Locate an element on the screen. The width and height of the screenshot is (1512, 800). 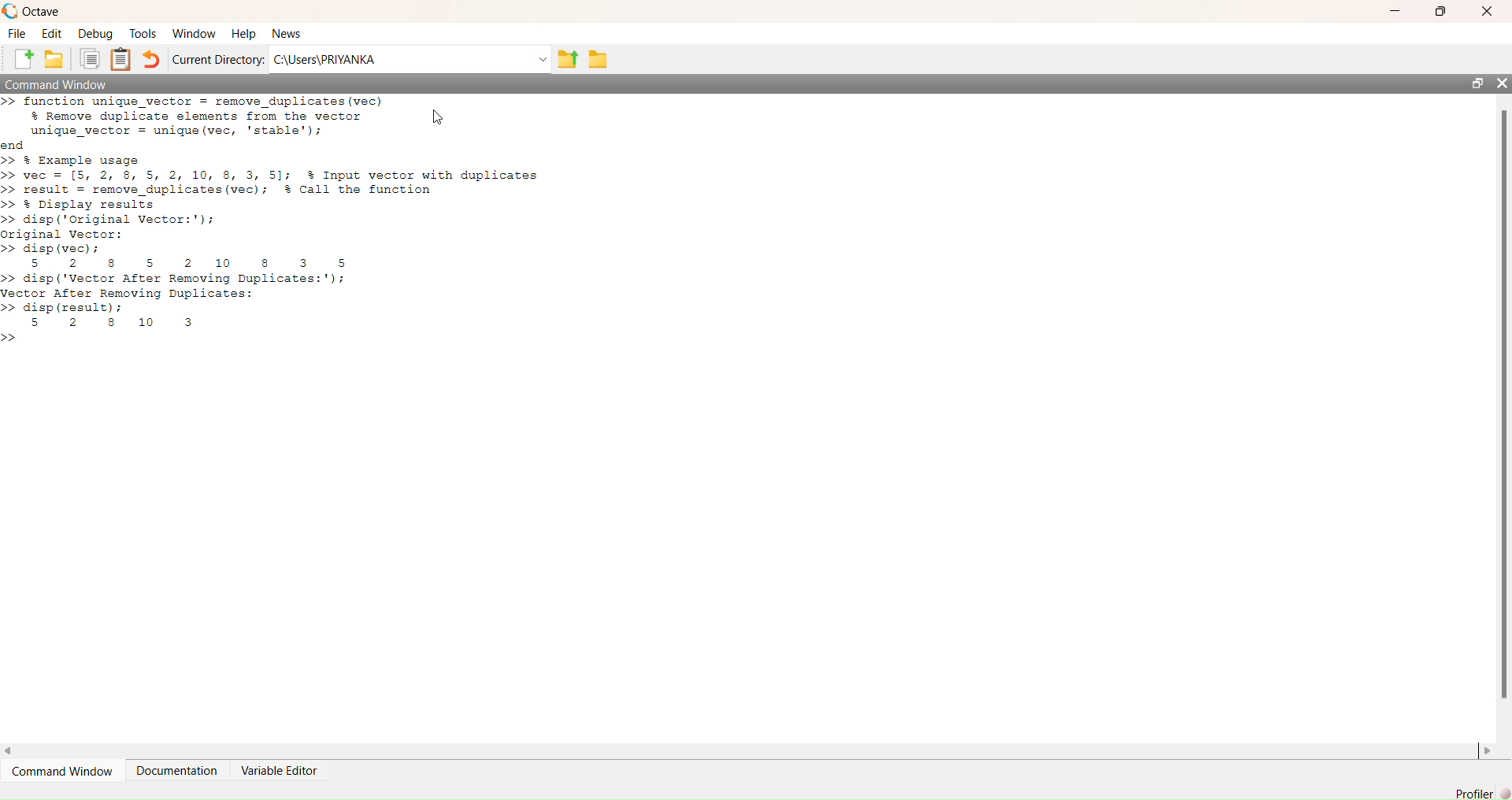
folder is located at coordinates (599, 59).